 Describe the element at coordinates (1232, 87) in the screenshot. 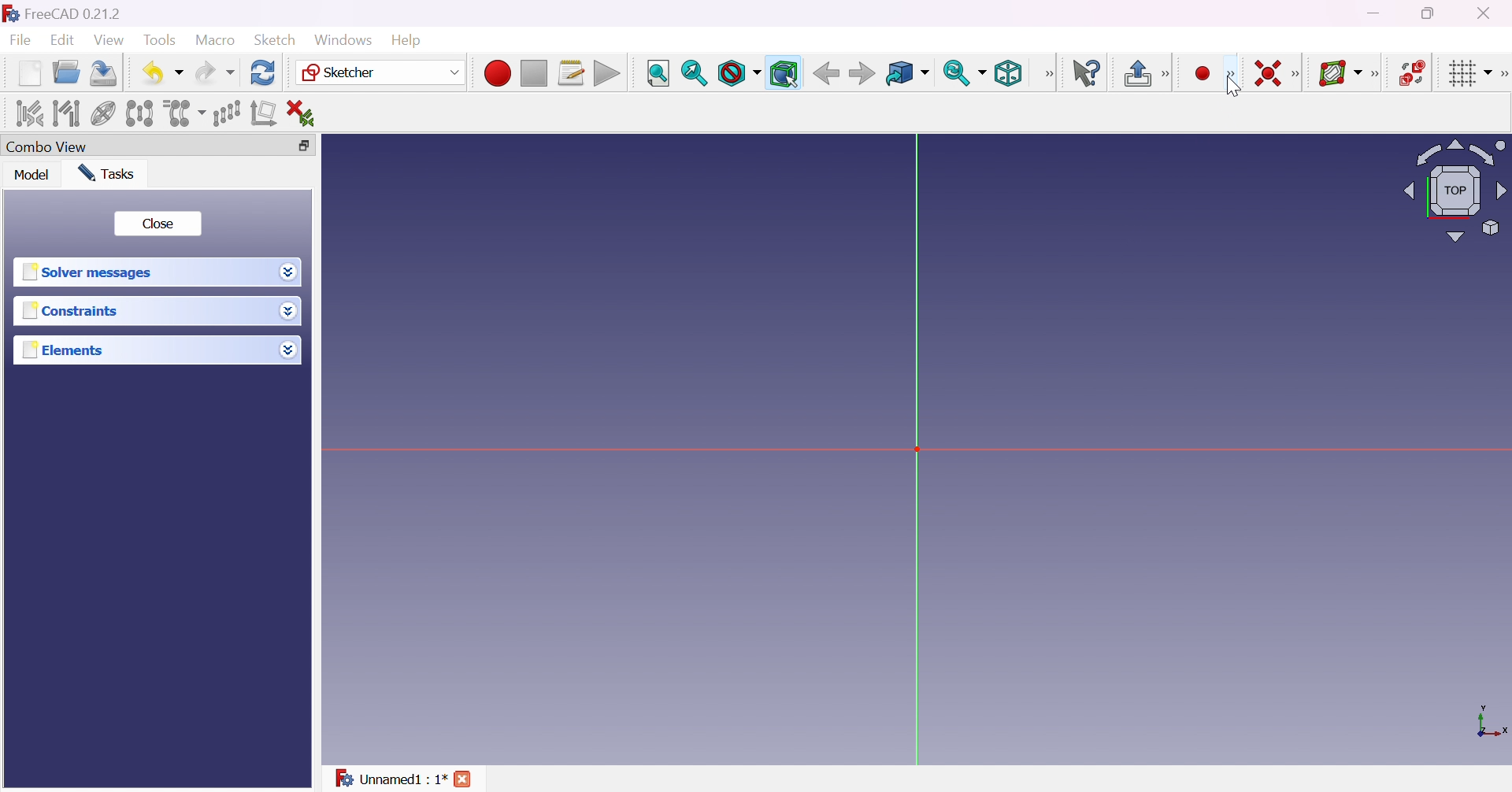

I see `cursor` at that location.